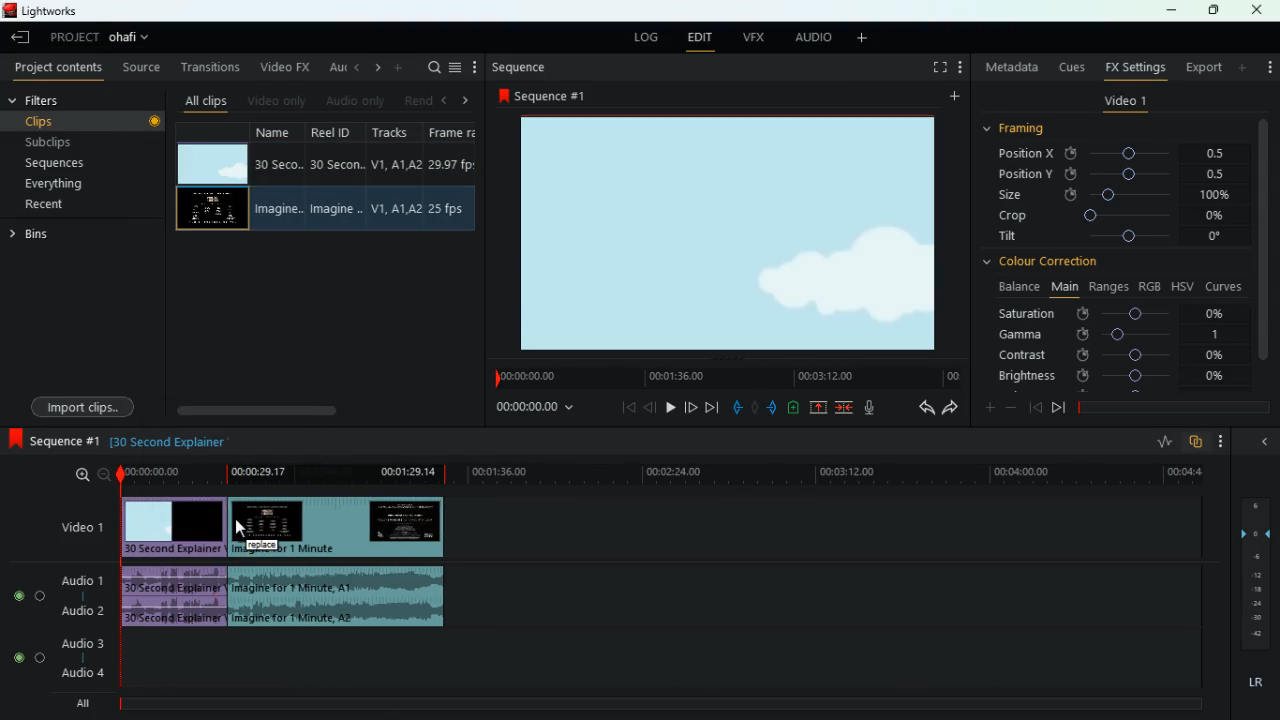  I want to click on sequence, so click(521, 67).